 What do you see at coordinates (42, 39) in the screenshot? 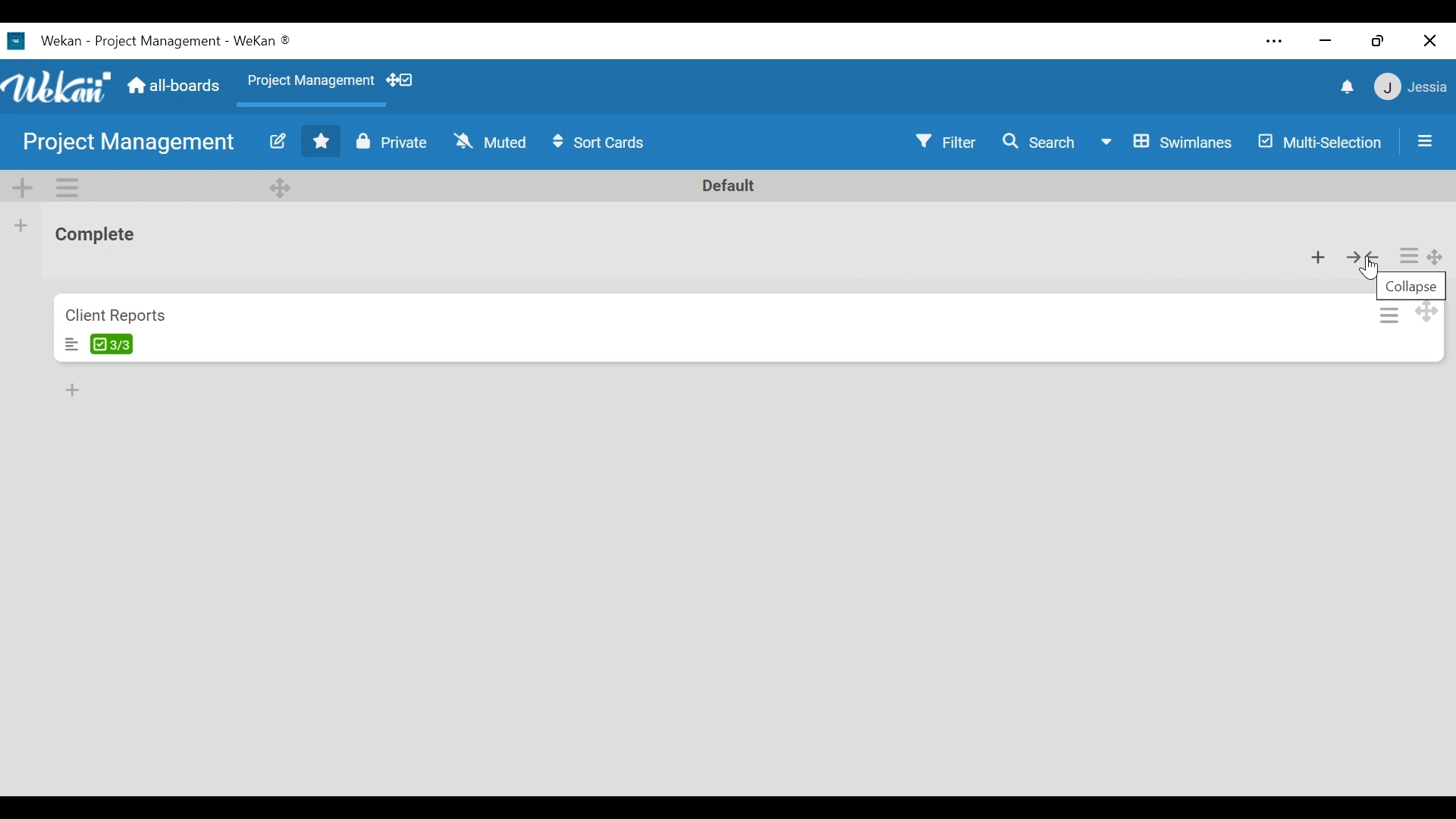
I see `Wekan Desktop icon` at bounding box center [42, 39].